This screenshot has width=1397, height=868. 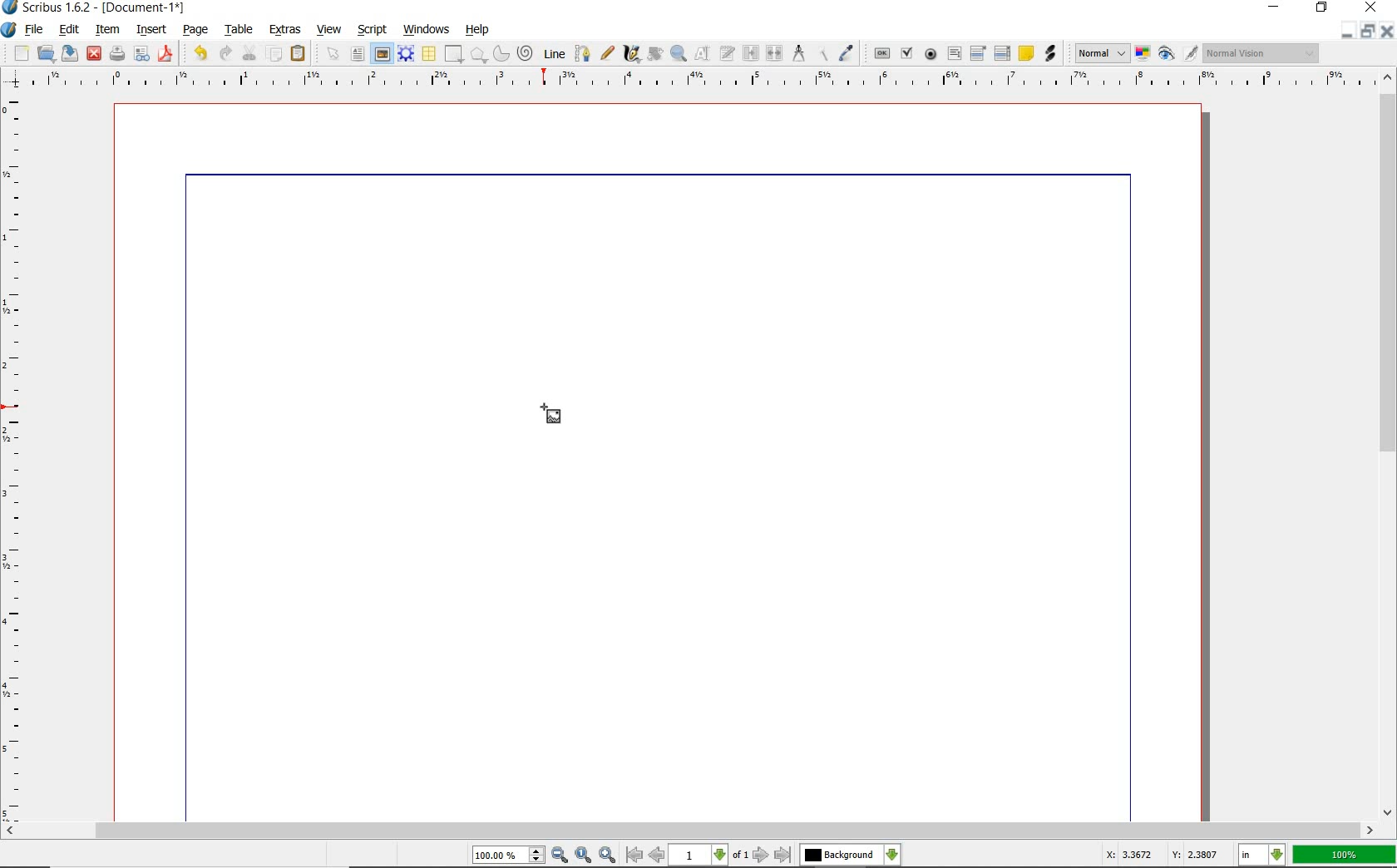 I want to click on Close, so click(x=1389, y=31).